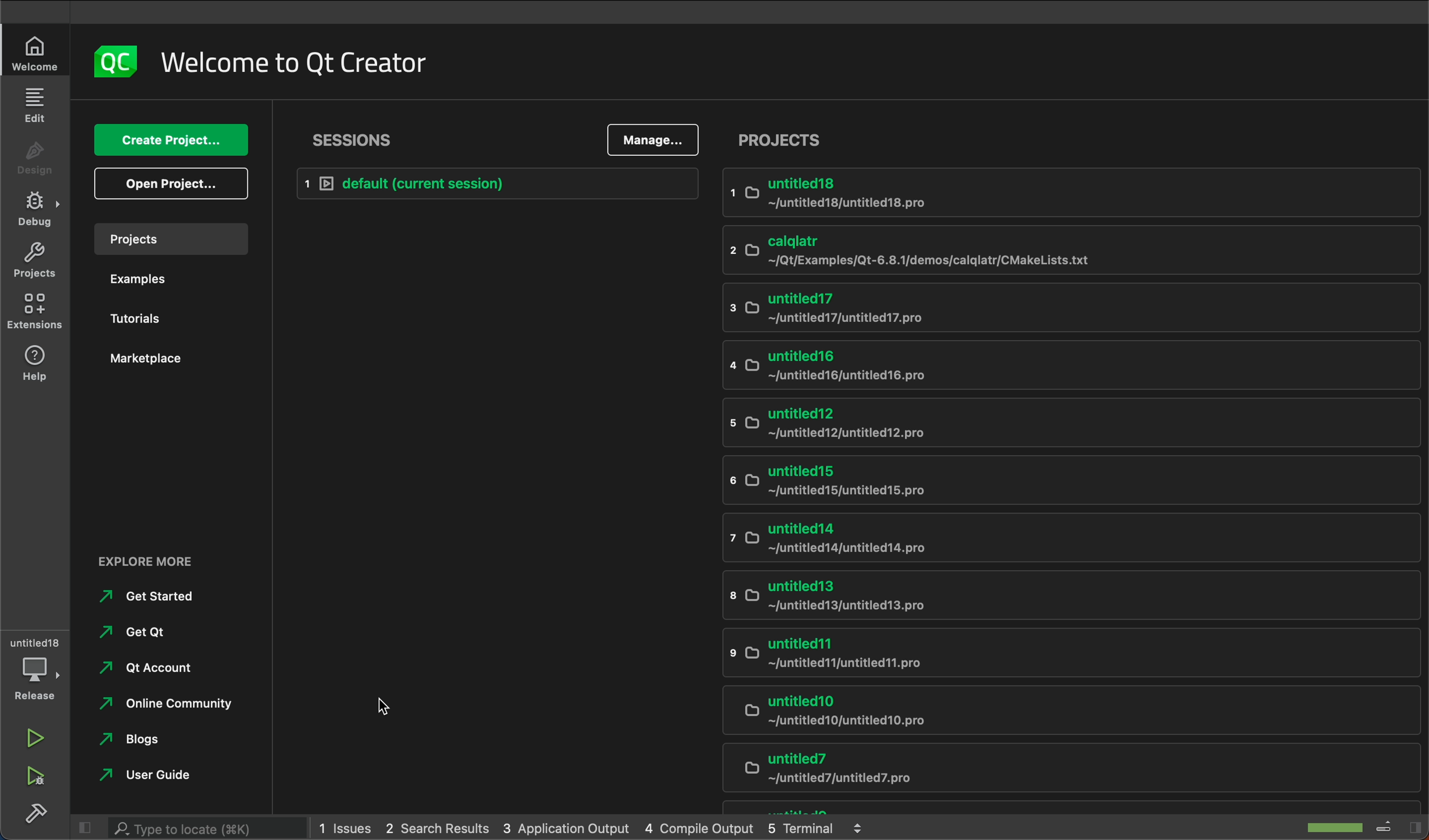 The image size is (1429, 840). I want to click on projects, so click(37, 258).